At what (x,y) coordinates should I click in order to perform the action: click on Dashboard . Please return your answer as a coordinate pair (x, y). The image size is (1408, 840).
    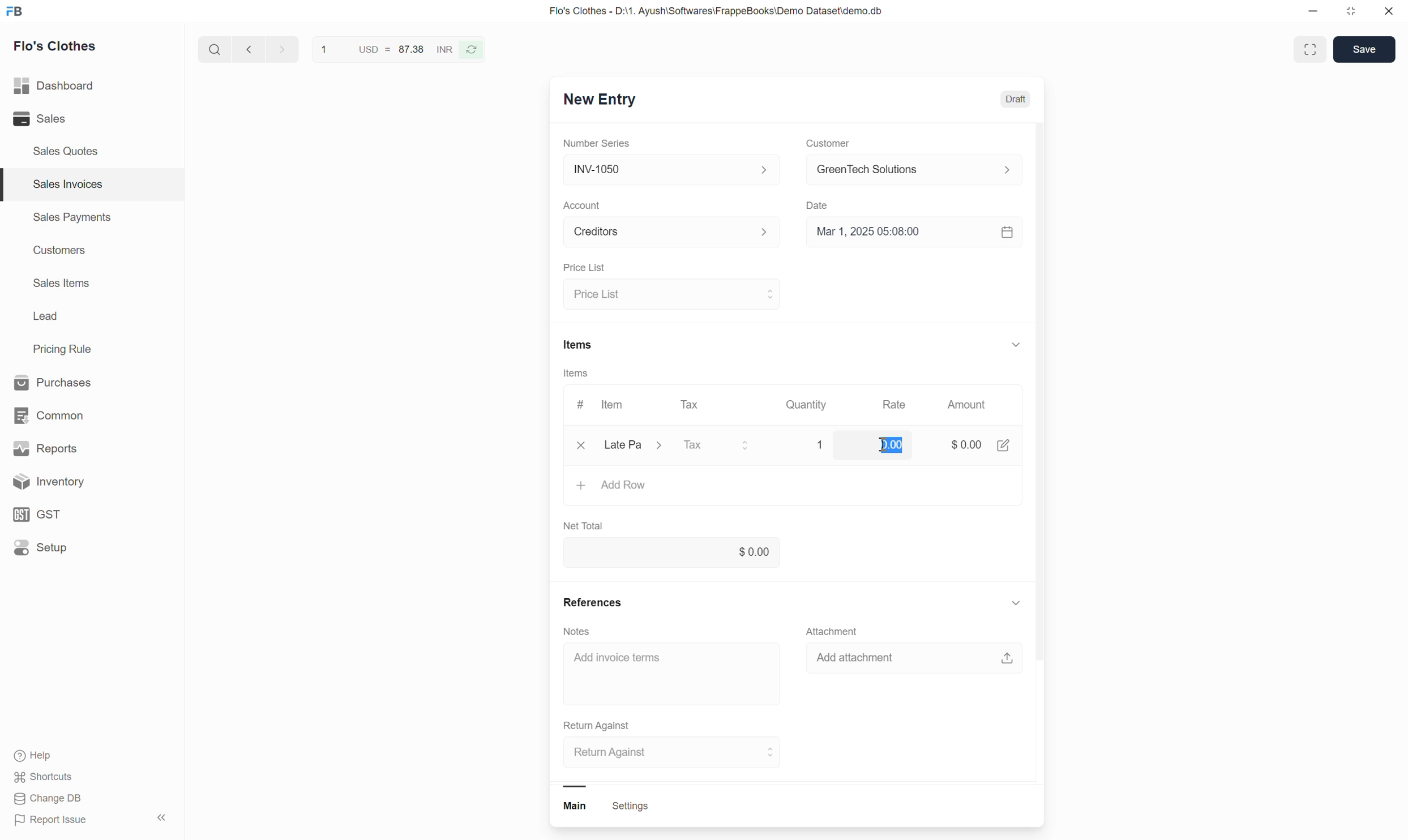
    Looking at the image, I should click on (74, 86).